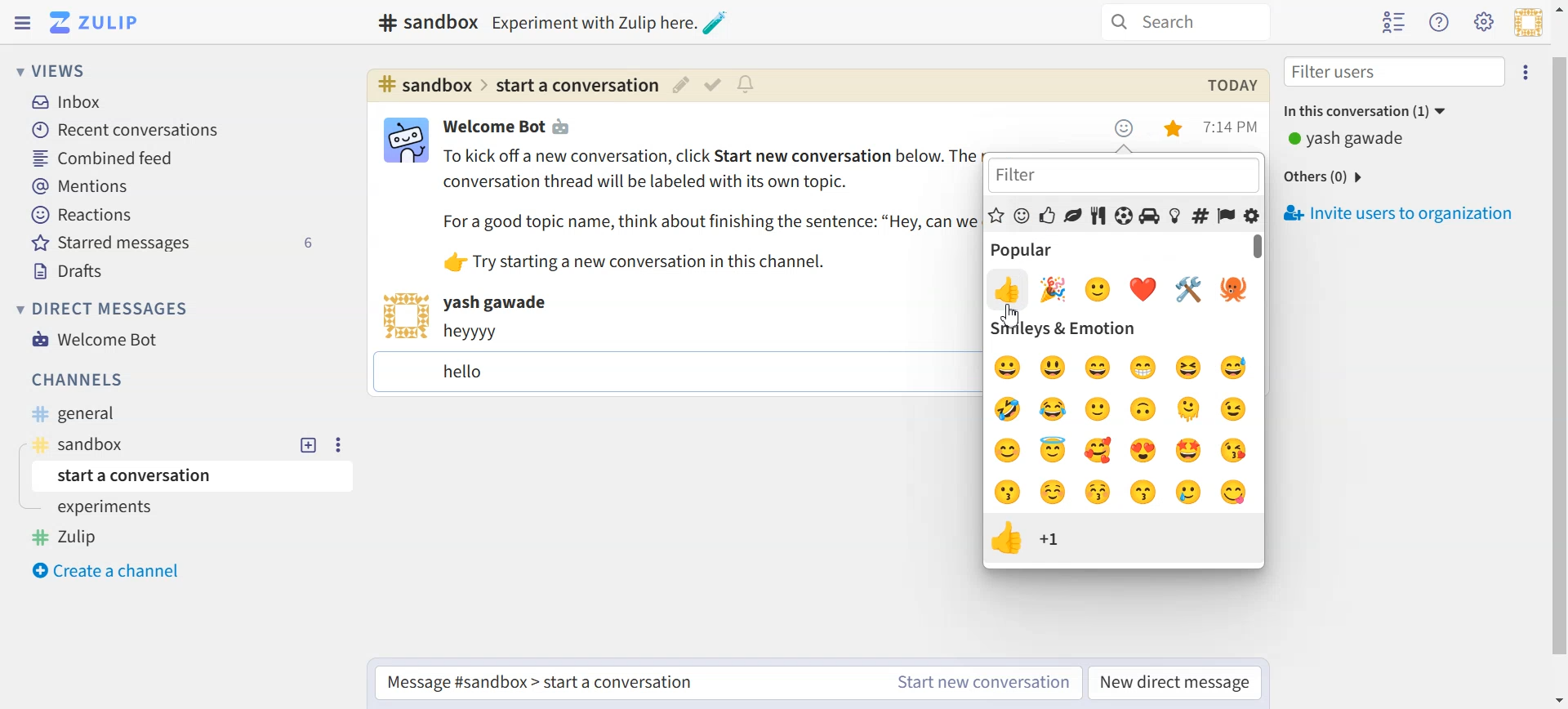  Describe the element at coordinates (1115, 249) in the screenshot. I see `Popular emoji` at that location.